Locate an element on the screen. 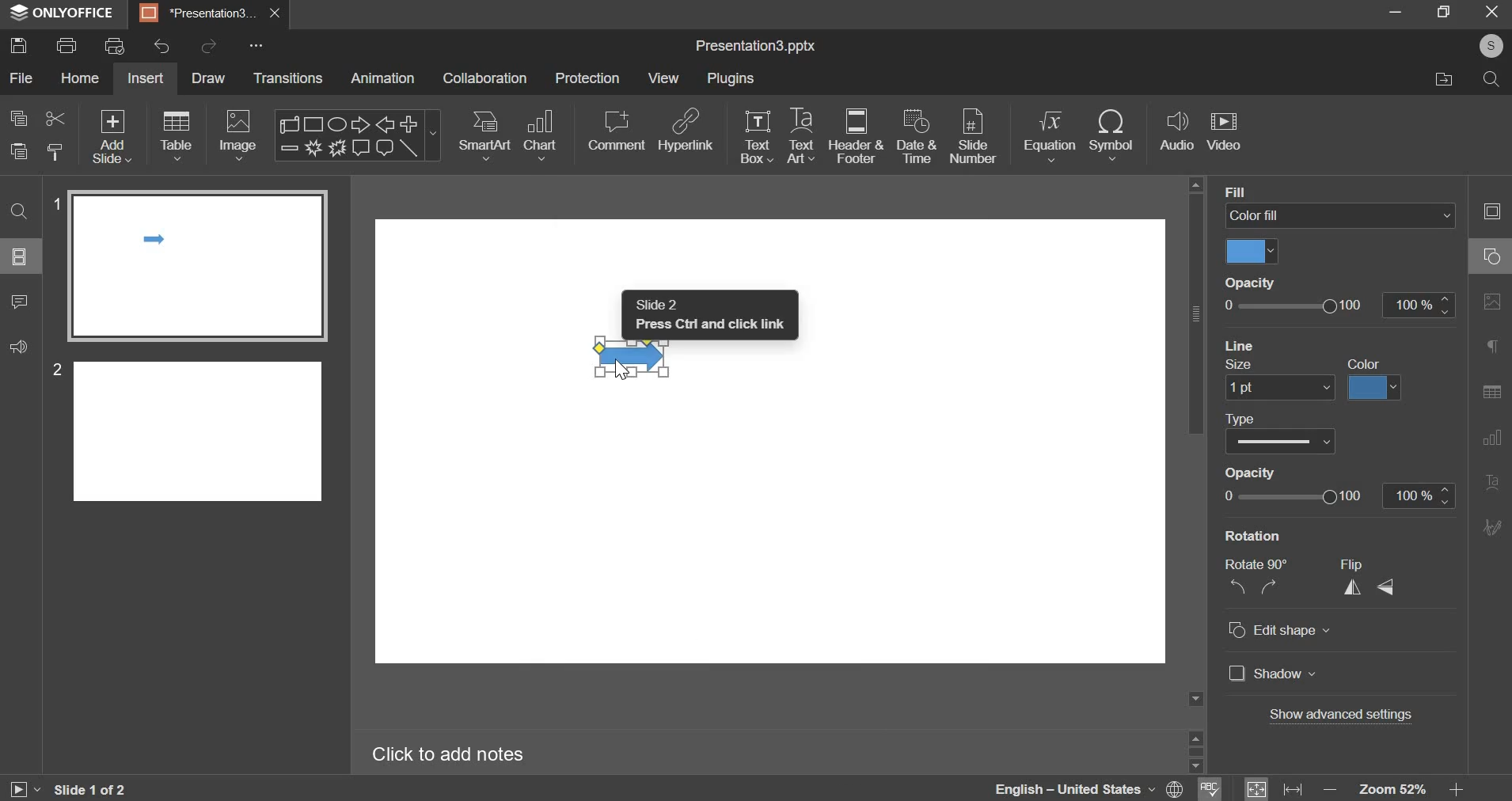  text box is located at coordinates (757, 137).